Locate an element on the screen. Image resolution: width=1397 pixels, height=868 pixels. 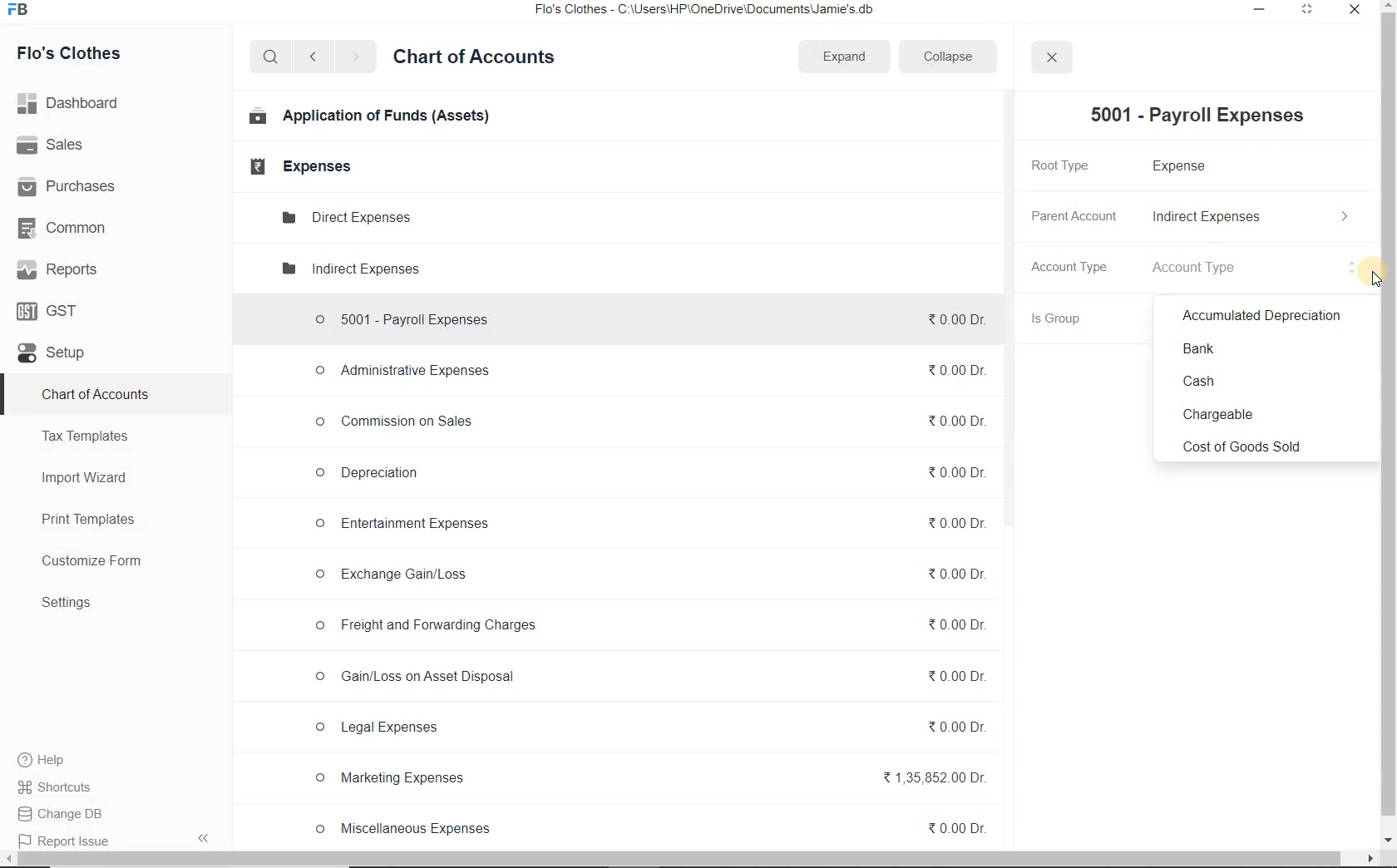
set up is located at coordinates (52, 354).